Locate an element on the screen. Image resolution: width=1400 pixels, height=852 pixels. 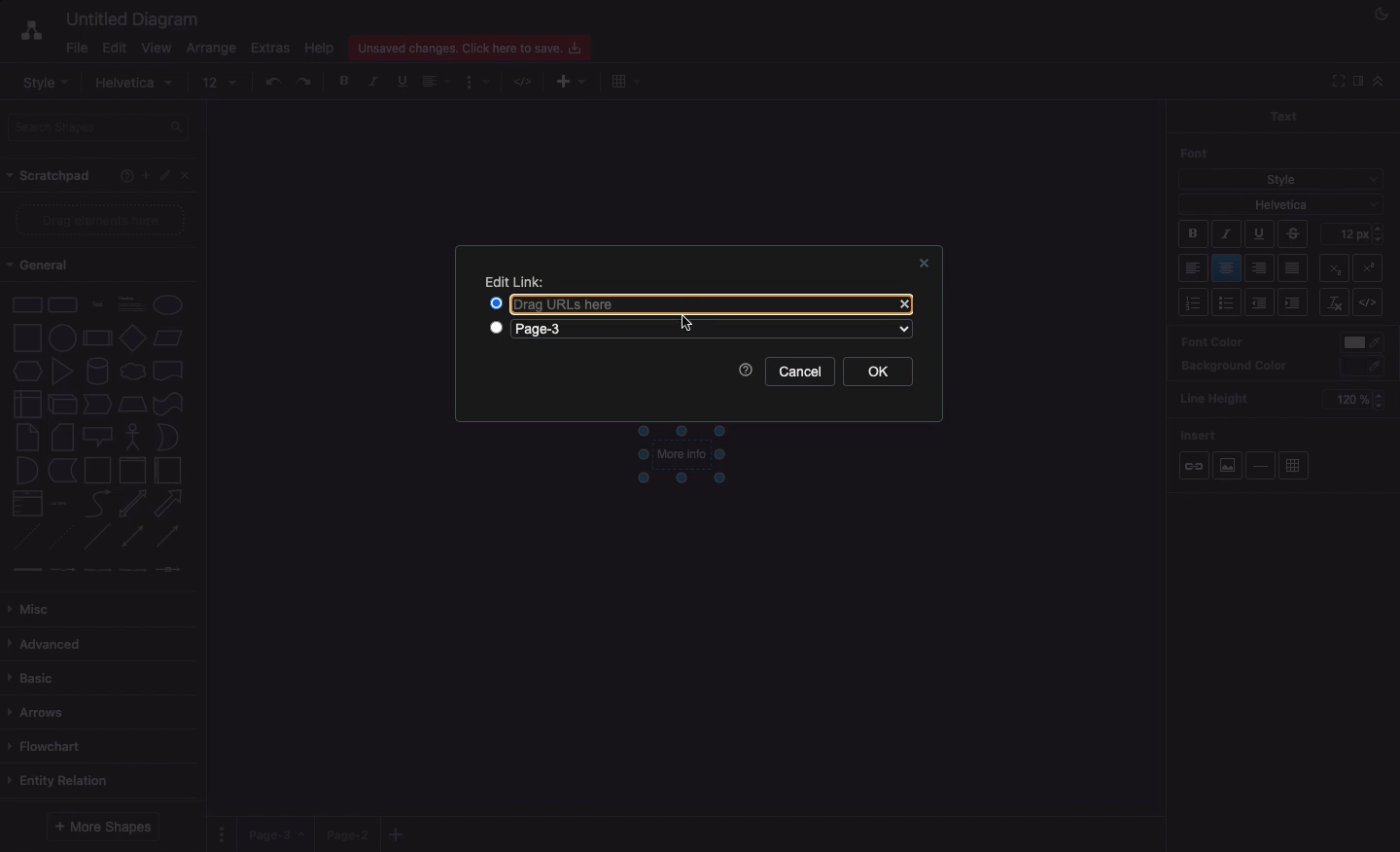
120% is located at coordinates (1351, 401).